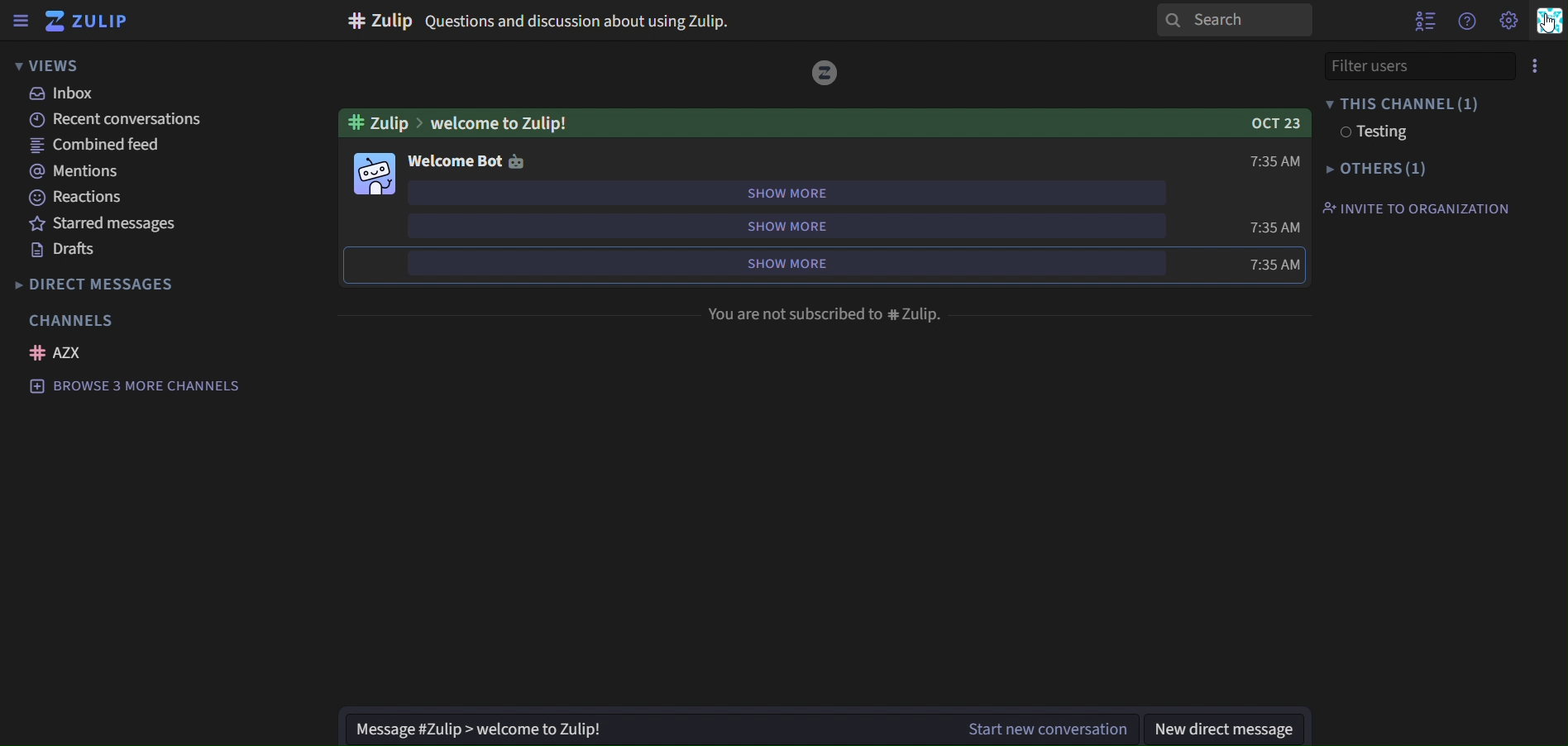 Image resolution: width=1568 pixels, height=746 pixels. I want to click on show more, so click(773, 261).